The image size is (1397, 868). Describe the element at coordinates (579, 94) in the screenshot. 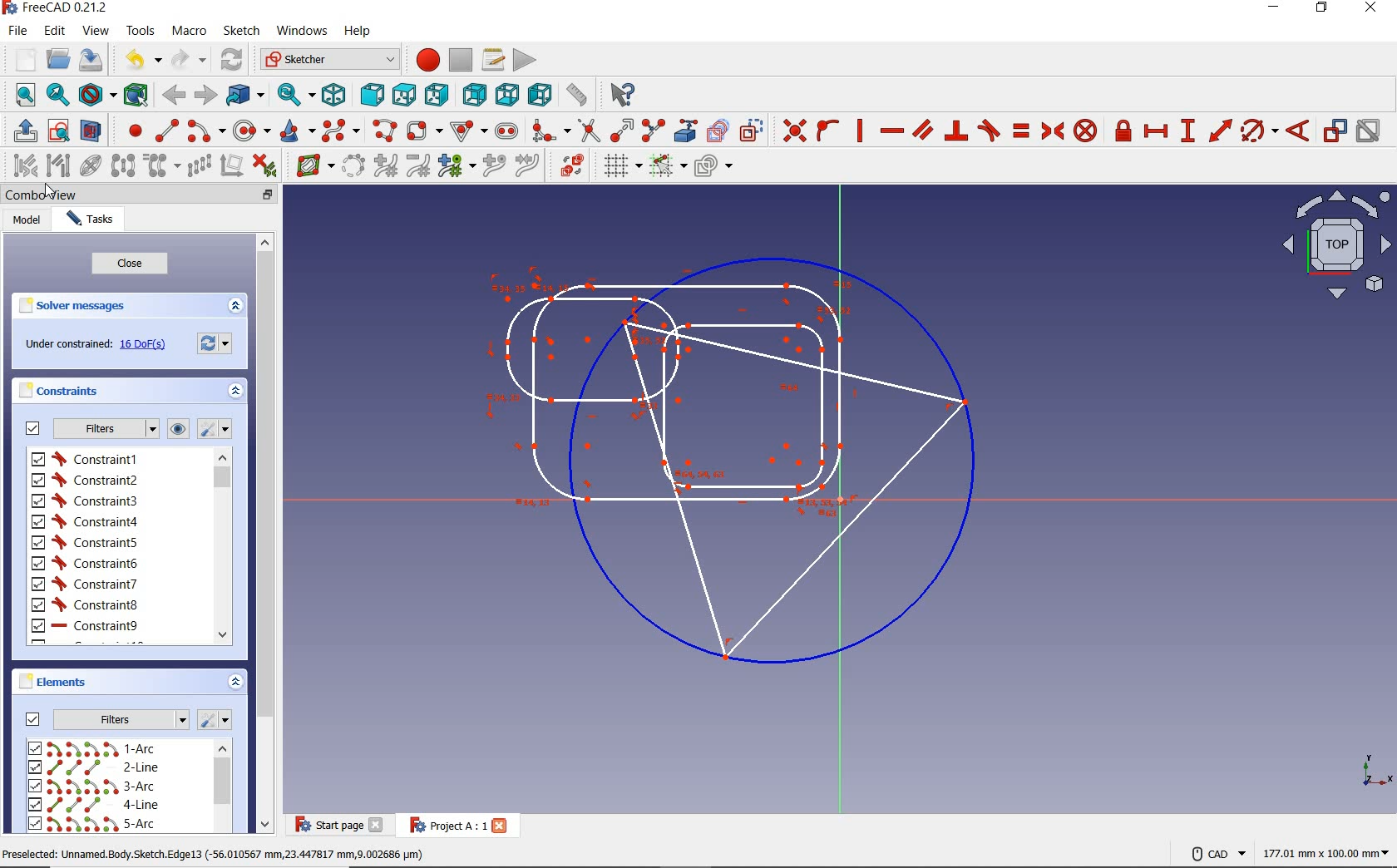

I see `measure distance` at that location.